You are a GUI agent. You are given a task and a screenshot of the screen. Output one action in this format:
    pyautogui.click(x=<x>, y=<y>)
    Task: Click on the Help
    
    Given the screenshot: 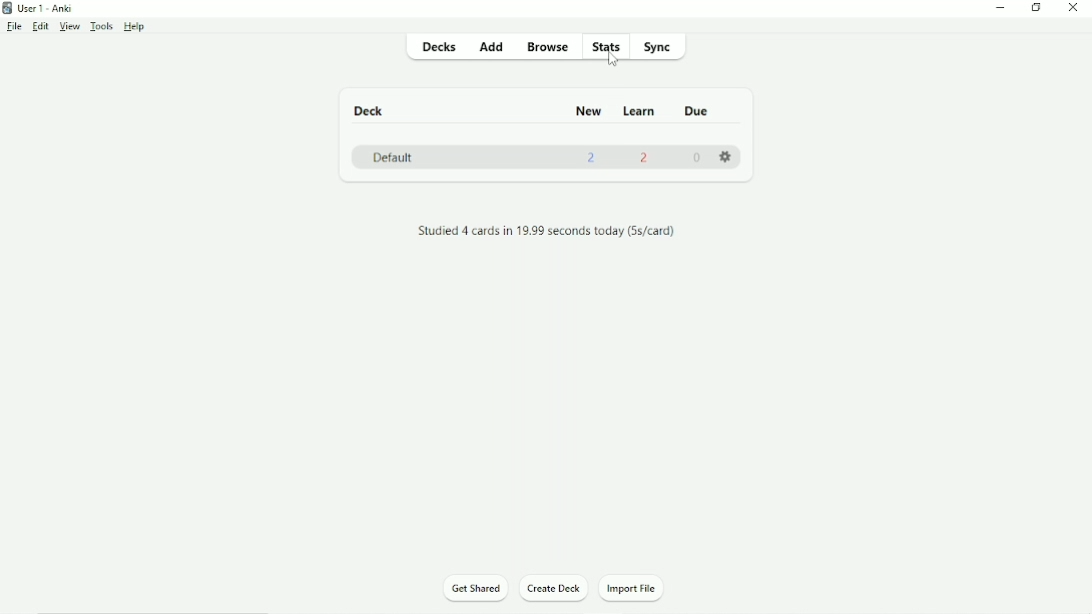 What is the action you would take?
    pyautogui.click(x=135, y=27)
    